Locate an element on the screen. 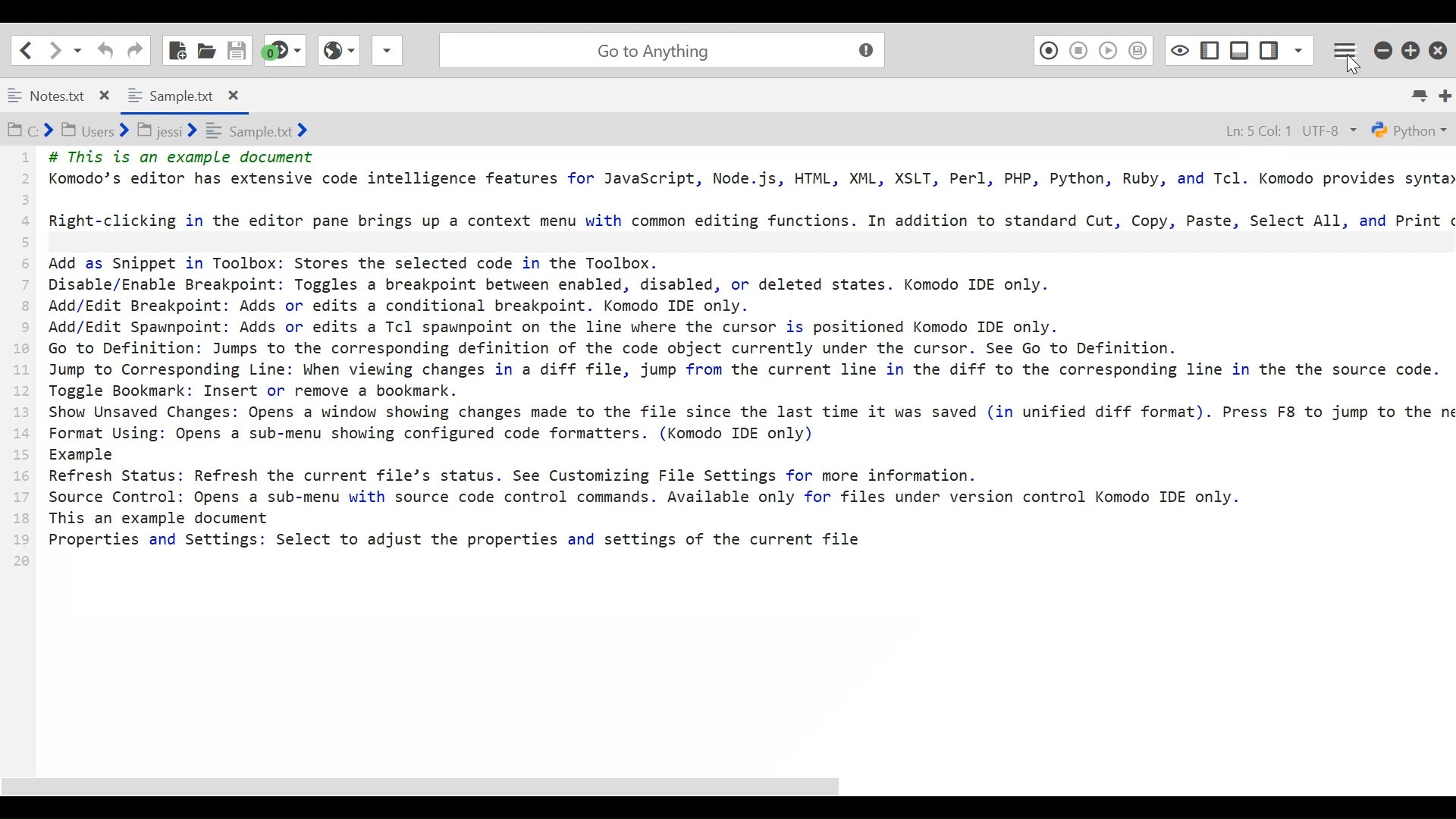  Recent locations is located at coordinates (78, 50).